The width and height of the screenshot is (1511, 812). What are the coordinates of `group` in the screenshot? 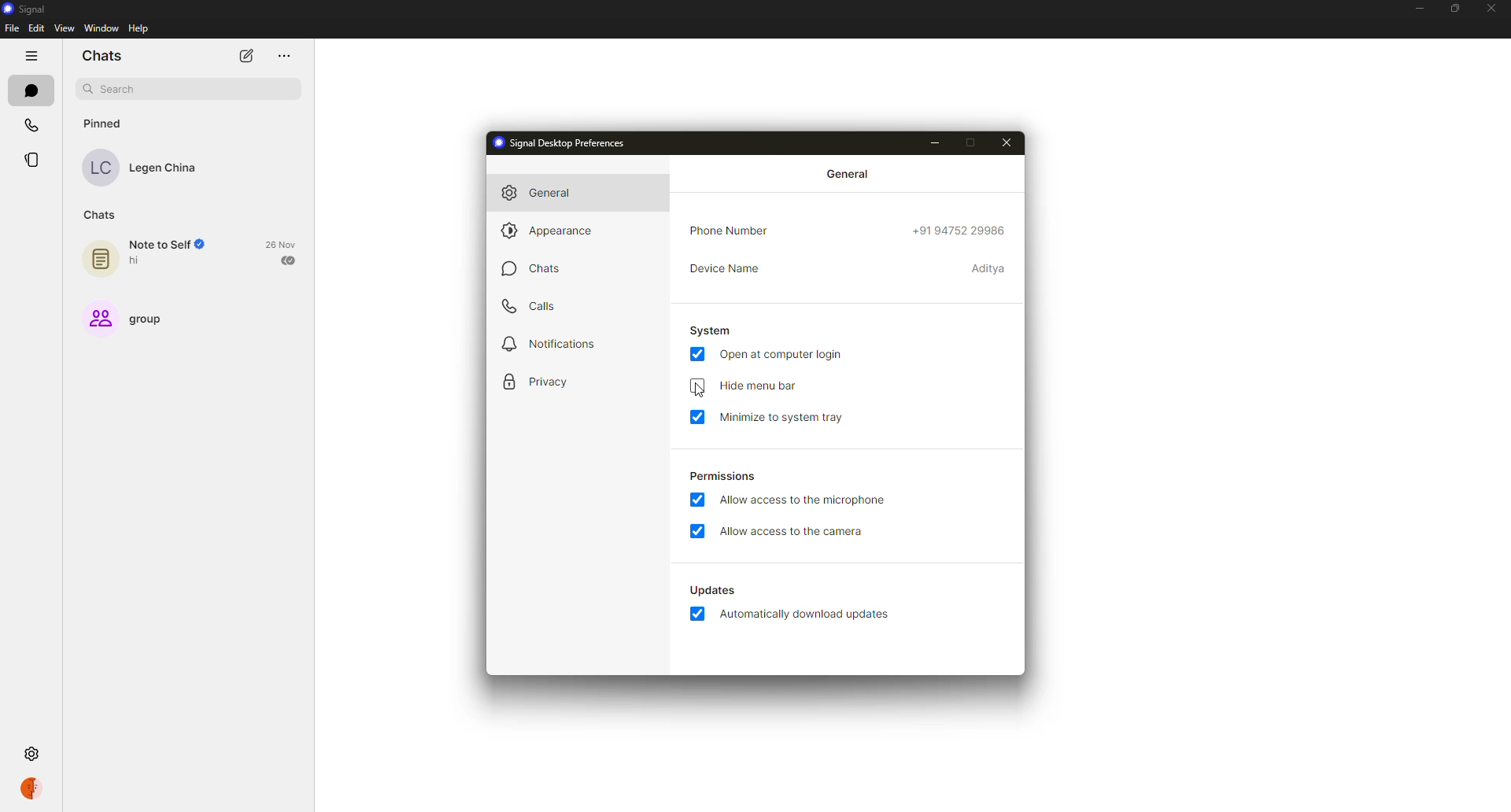 It's located at (128, 318).